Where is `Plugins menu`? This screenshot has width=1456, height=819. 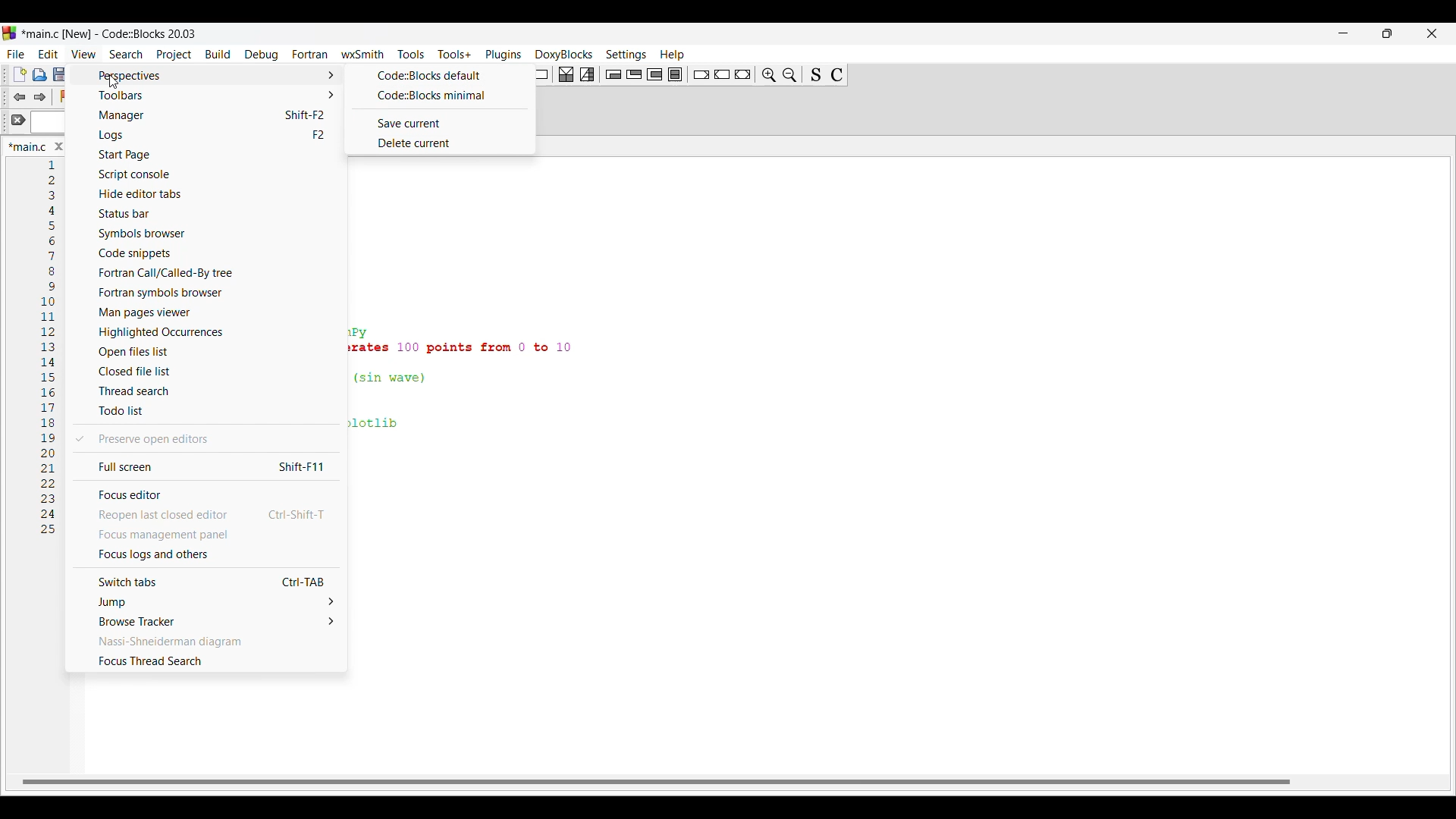 Plugins menu is located at coordinates (504, 55).